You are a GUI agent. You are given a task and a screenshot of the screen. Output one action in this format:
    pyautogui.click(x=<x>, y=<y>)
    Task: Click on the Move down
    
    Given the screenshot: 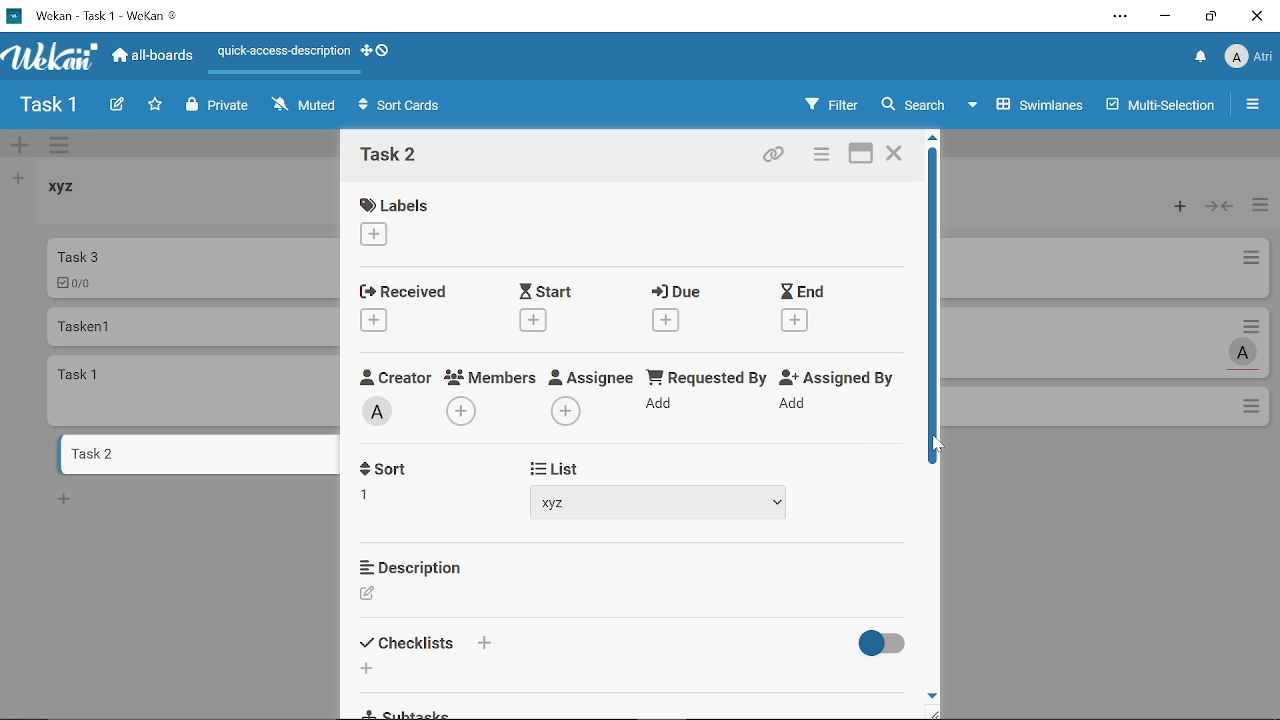 What is the action you would take?
    pyautogui.click(x=932, y=694)
    